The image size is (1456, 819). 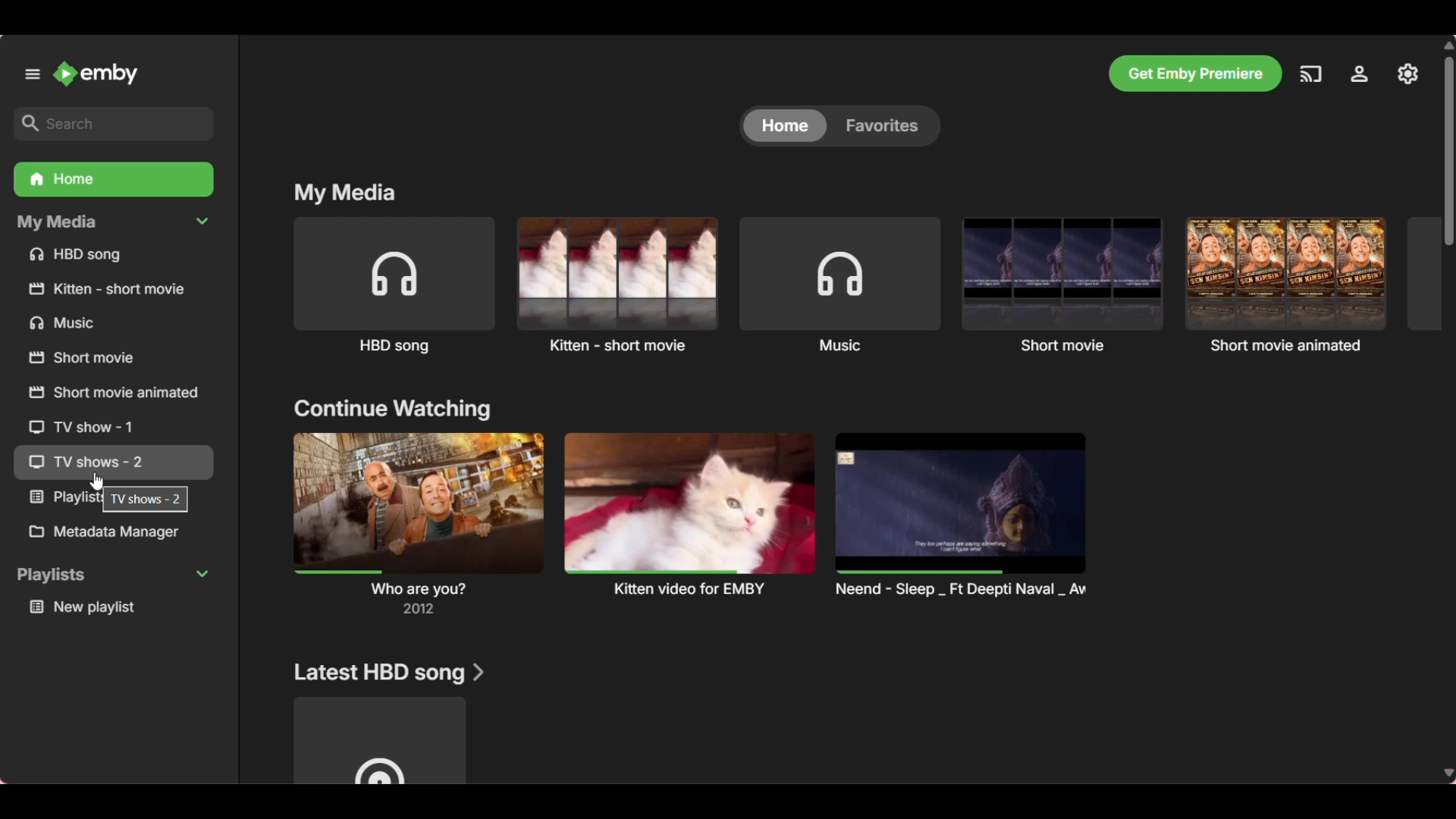 I want to click on Quick slide to top, so click(x=1448, y=45).